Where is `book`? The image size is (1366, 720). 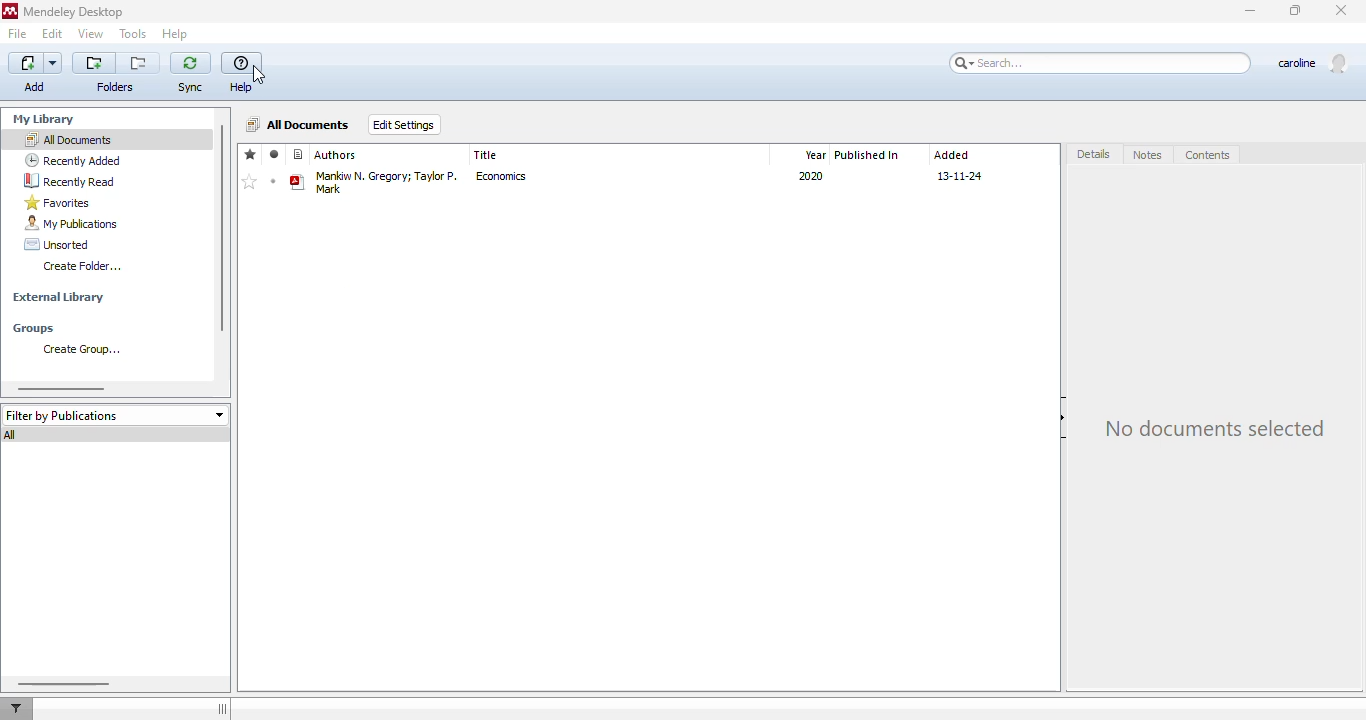
book is located at coordinates (298, 182).